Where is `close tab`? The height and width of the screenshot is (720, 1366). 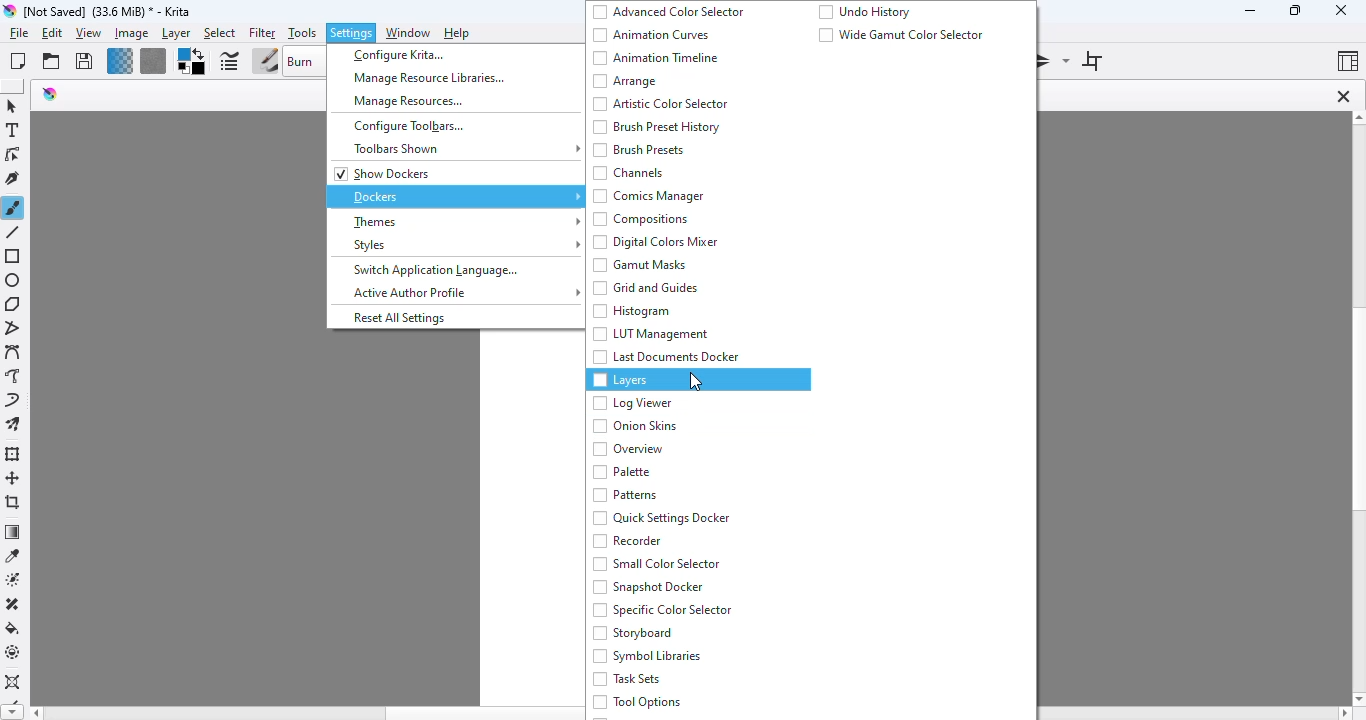 close tab is located at coordinates (1343, 96).